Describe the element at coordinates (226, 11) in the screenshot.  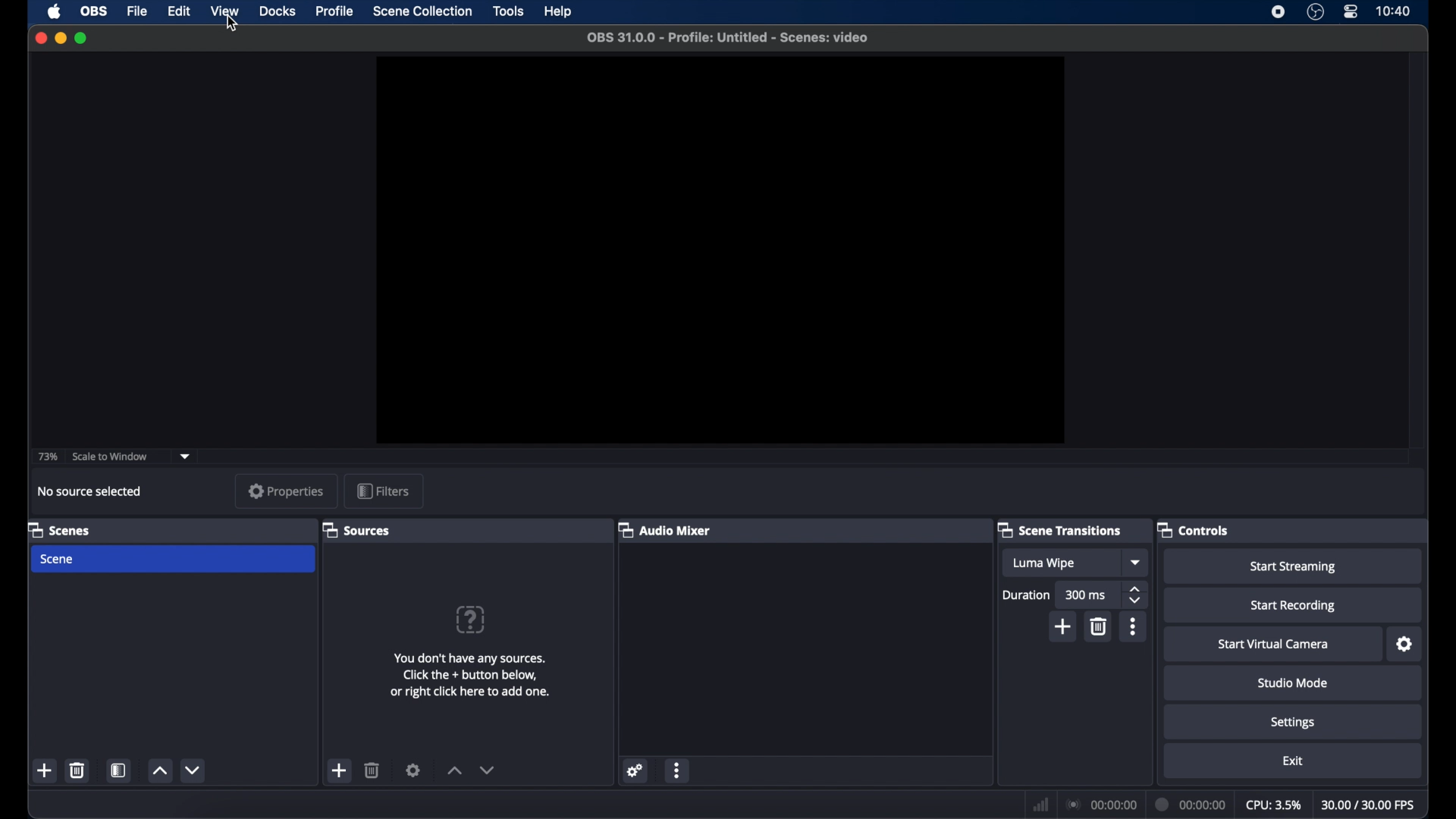
I see `view` at that location.